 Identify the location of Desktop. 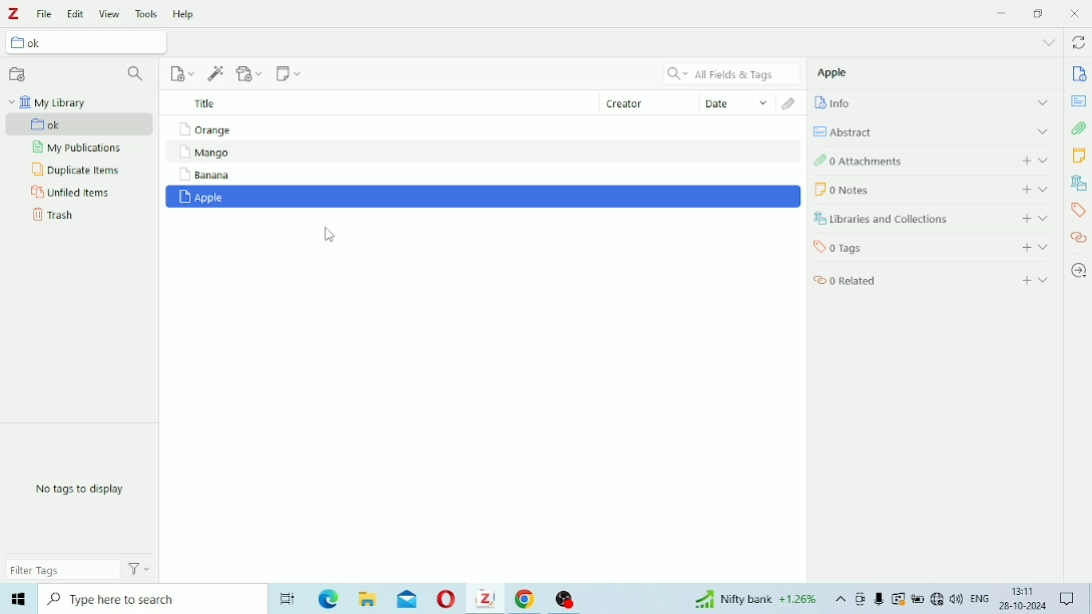
(285, 598).